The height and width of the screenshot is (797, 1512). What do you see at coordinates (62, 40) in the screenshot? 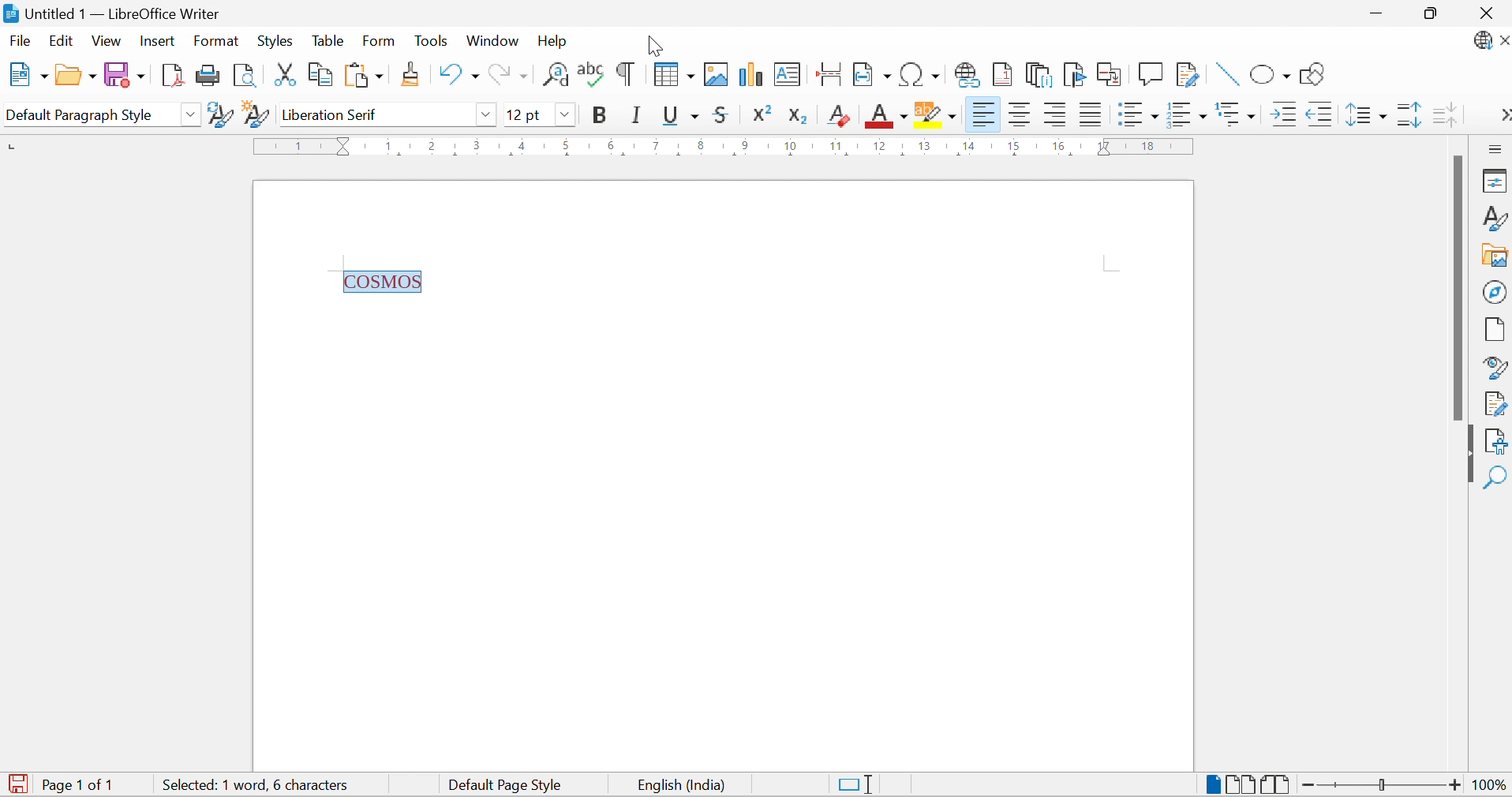
I see `Edit` at bounding box center [62, 40].